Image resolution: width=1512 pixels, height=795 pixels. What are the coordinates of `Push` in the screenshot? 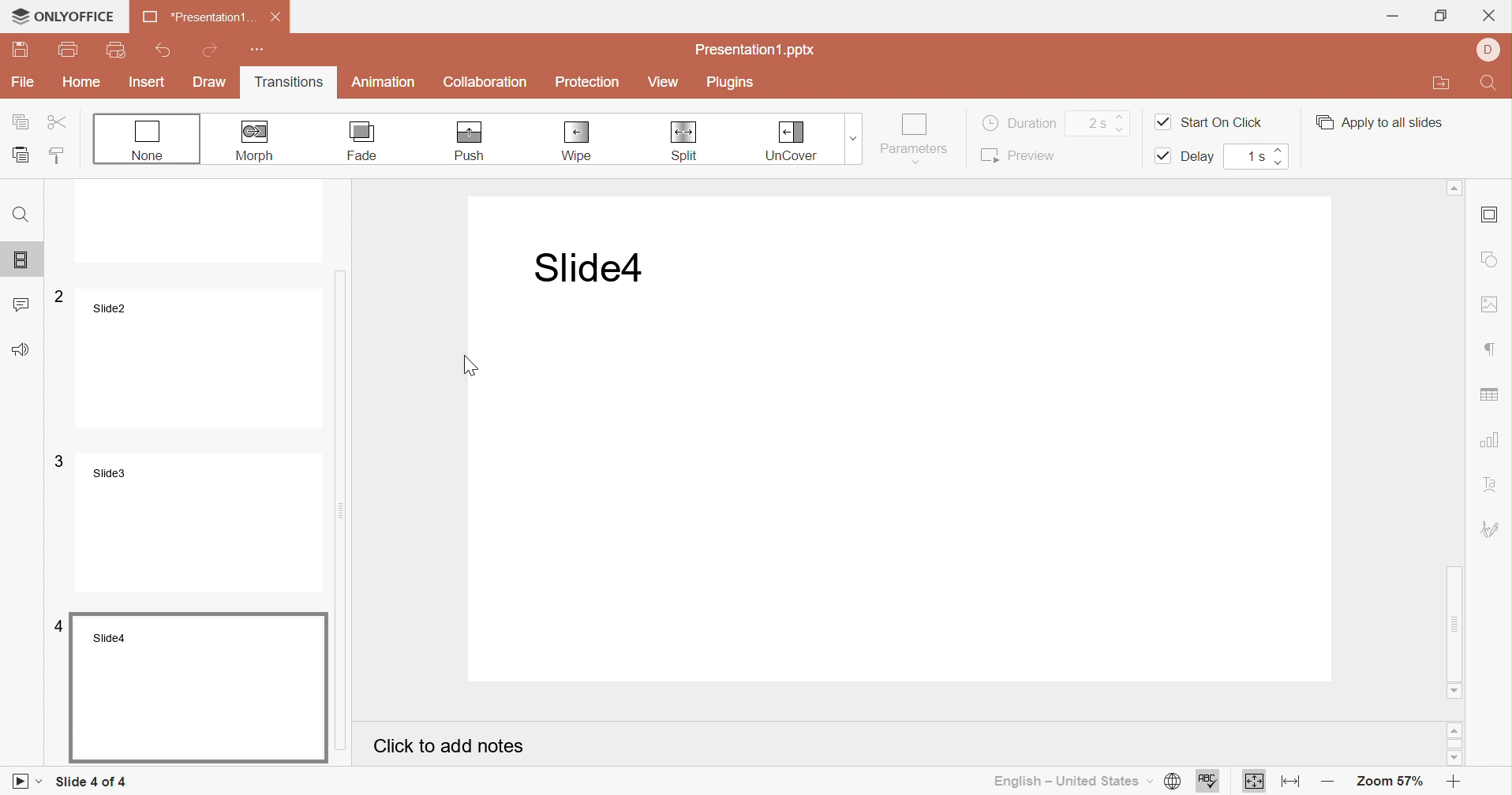 It's located at (469, 142).